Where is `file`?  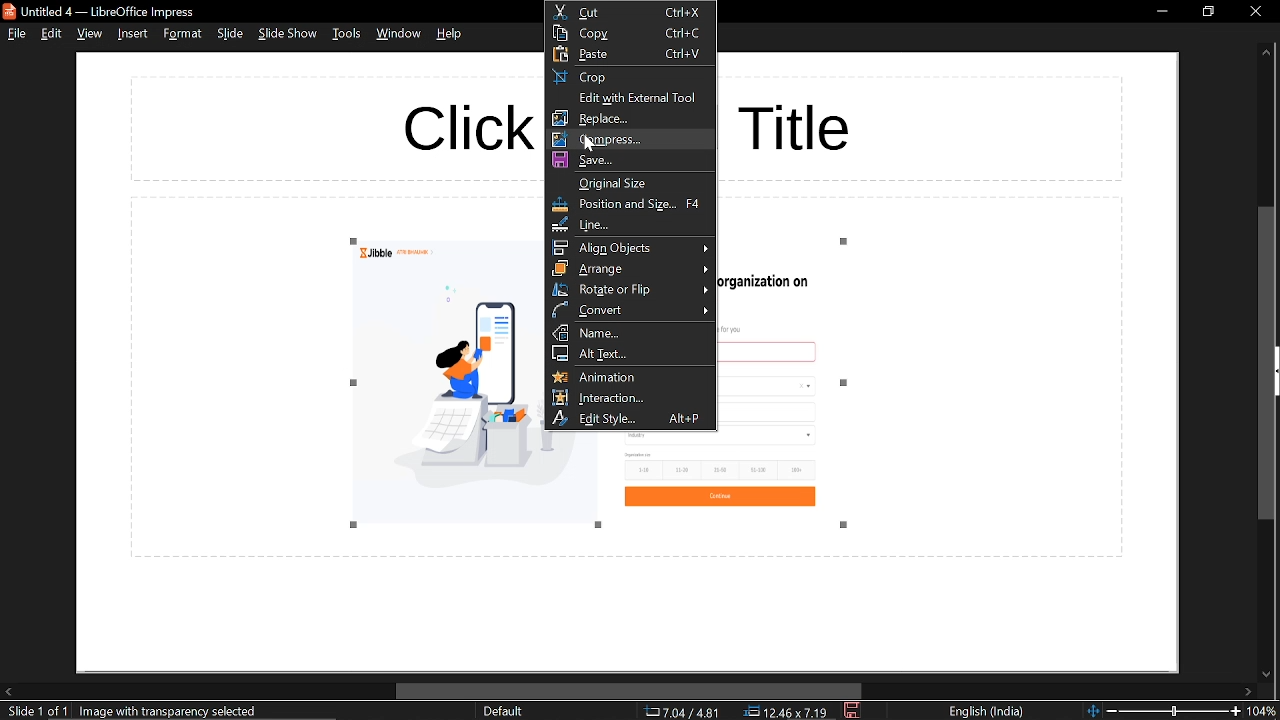
file is located at coordinates (16, 35).